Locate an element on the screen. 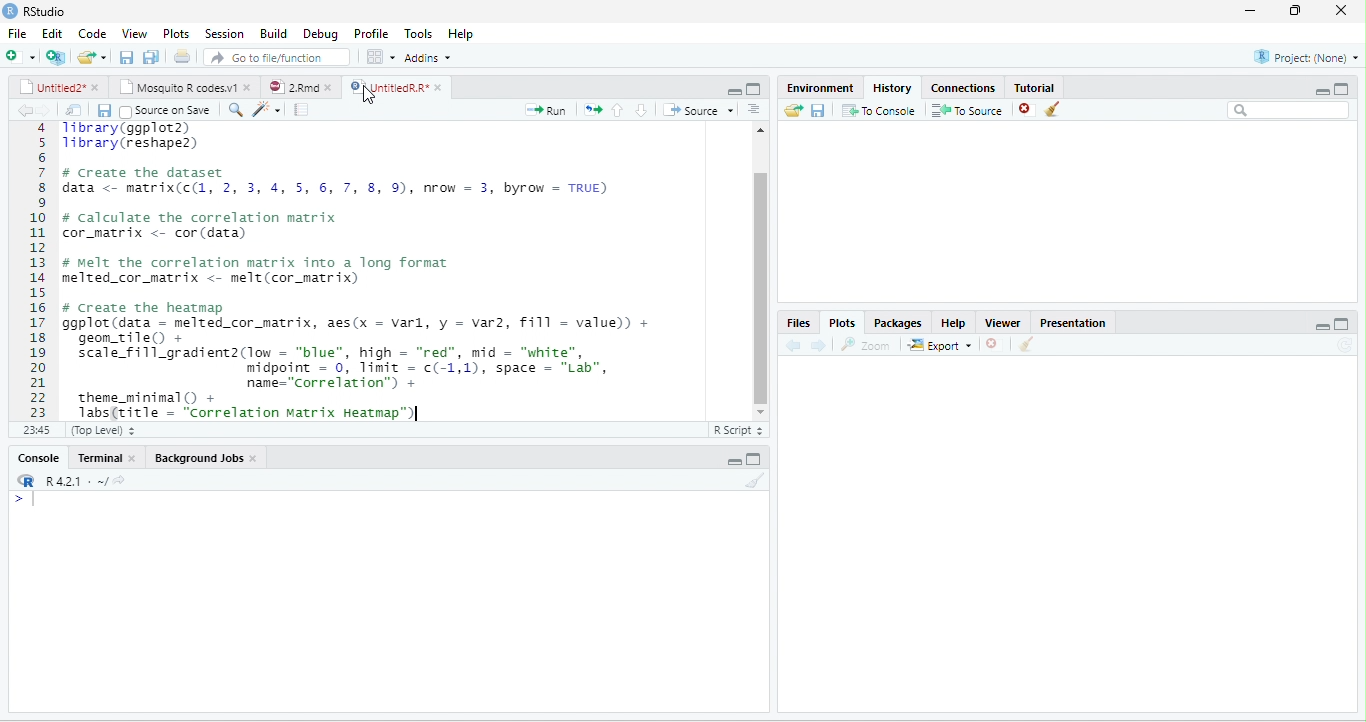 This screenshot has height=722, width=1366. close is located at coordinates (1021, 110).